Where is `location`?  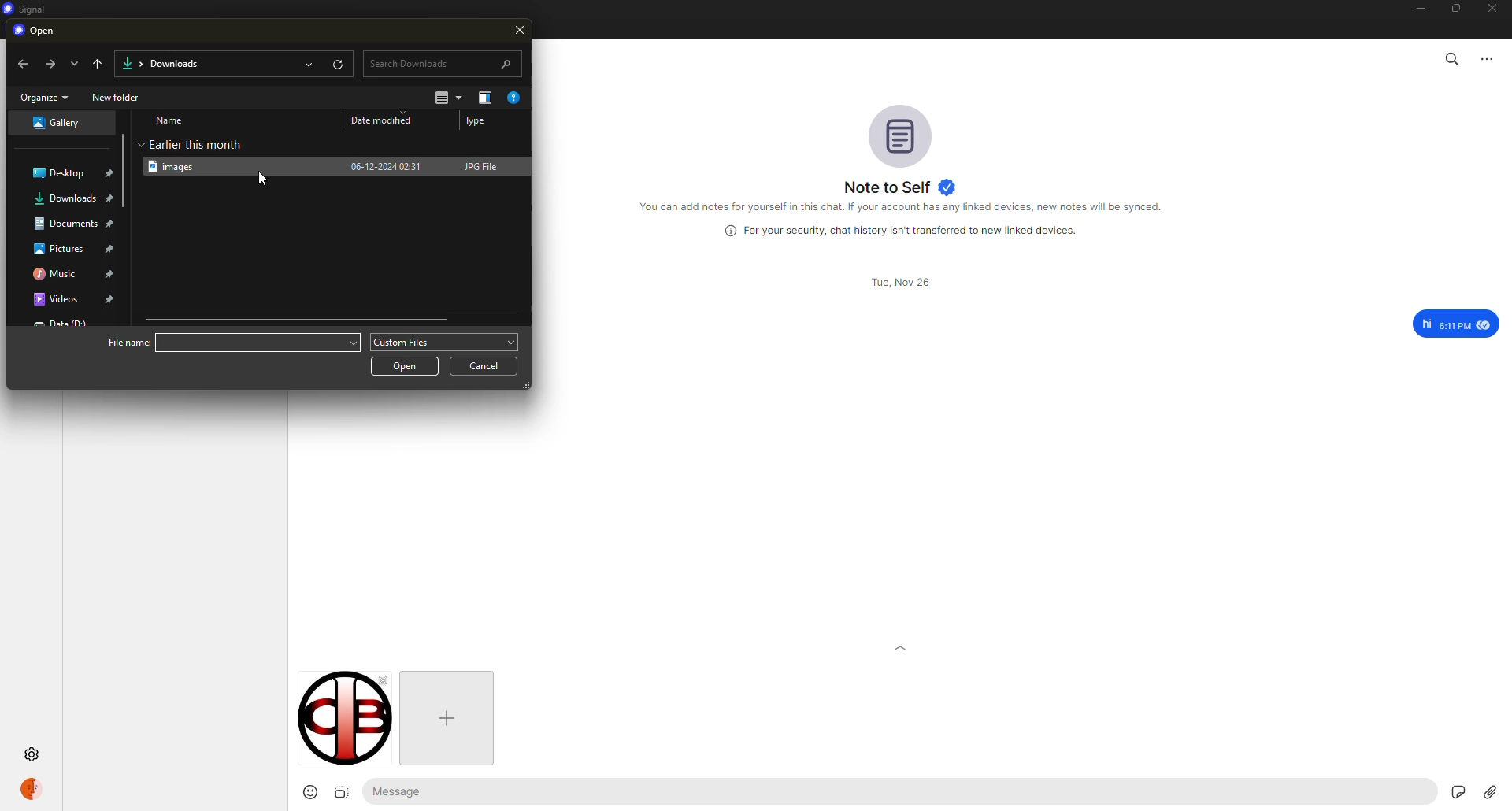 location is located at coordinates (54, 273).